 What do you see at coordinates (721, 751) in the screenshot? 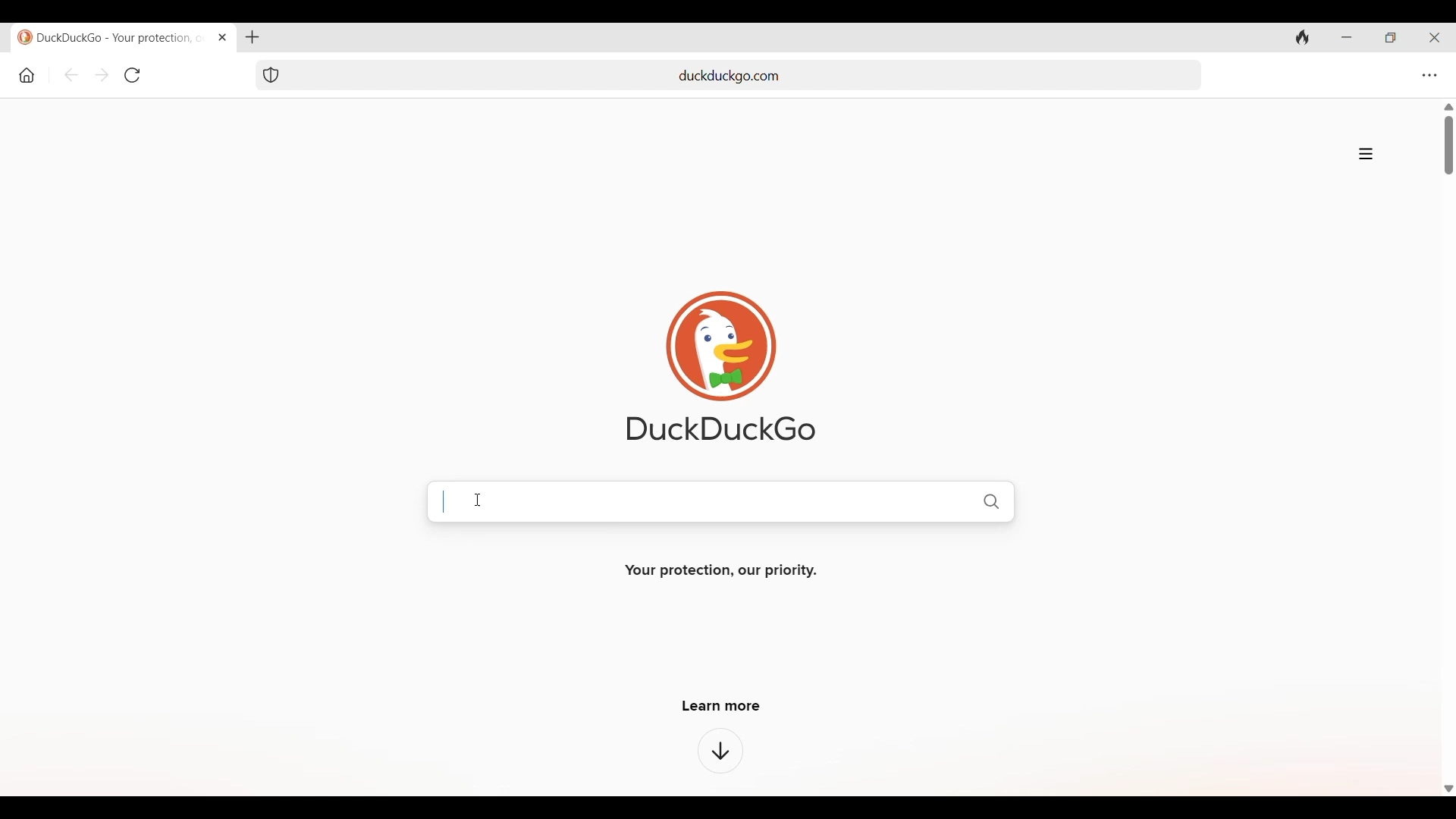
I see `Learn more about the browser` at bounding box center [721, 751].